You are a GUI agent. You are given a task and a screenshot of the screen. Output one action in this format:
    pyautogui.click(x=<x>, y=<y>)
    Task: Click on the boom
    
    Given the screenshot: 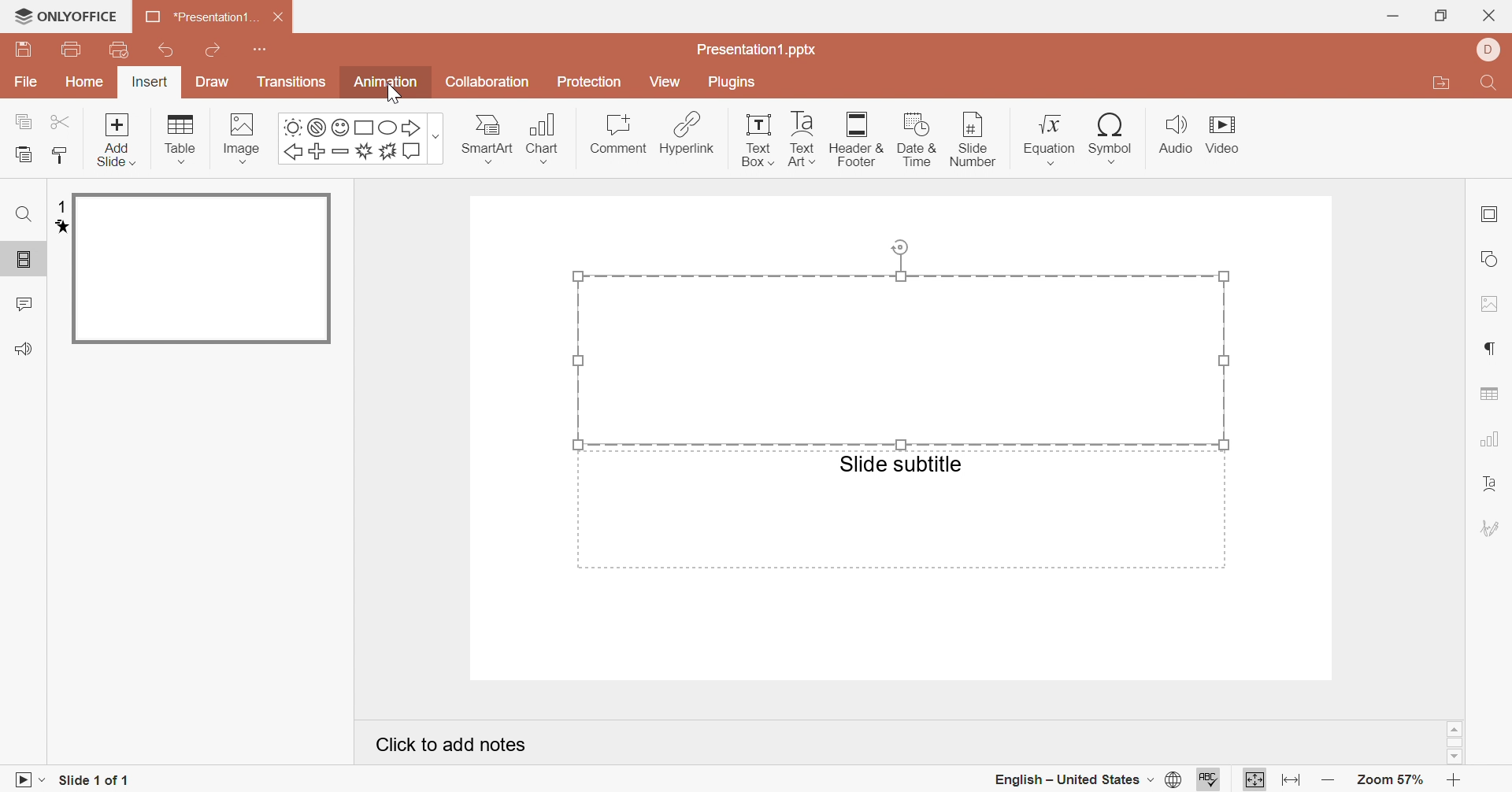 What is the action you would take?
    pyautogui.click(x=362, y=153)
    